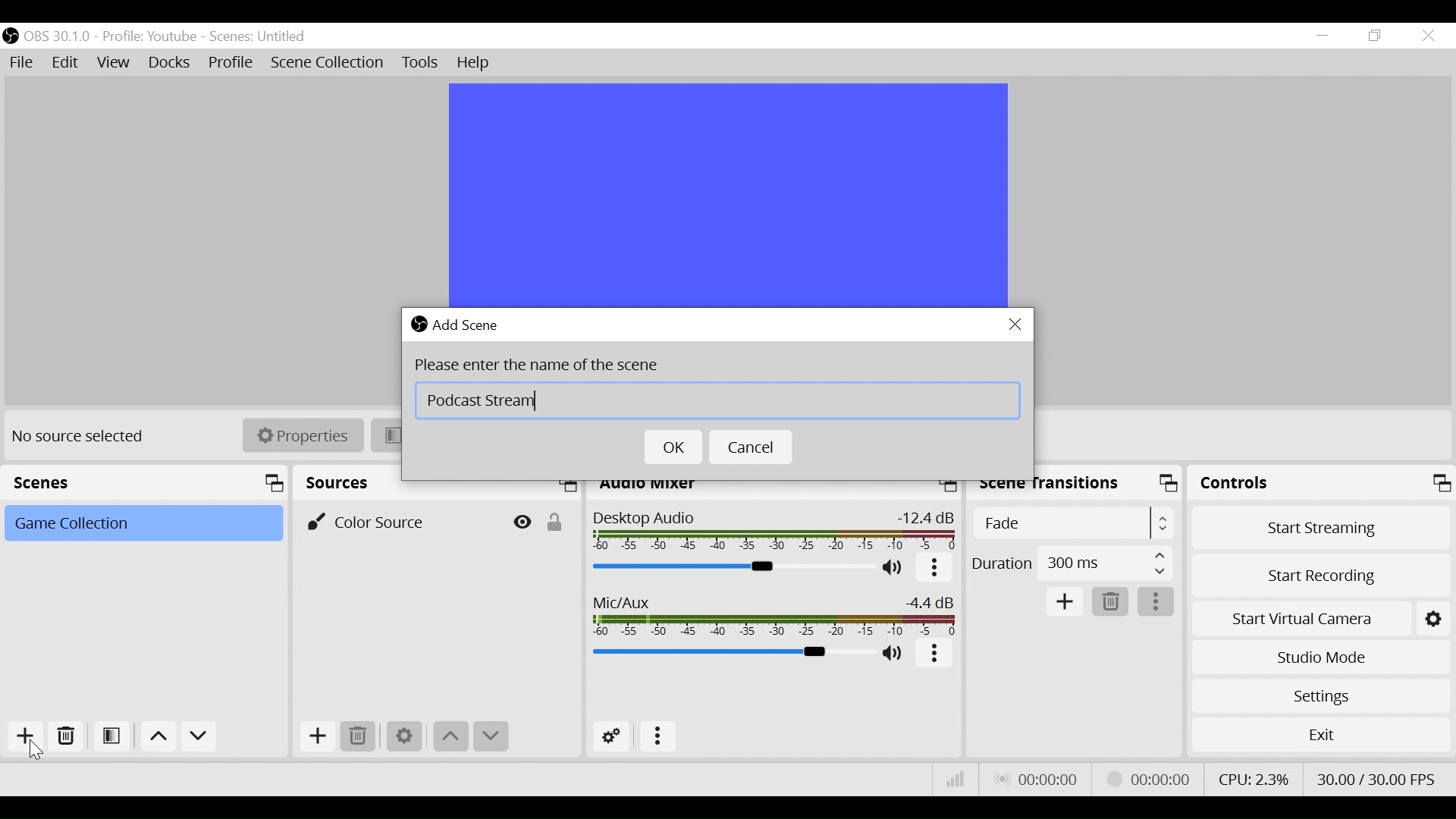  What do you see at coordinates (404, 736) in the screenshot?
I see `Settings` at bounding box center [404, 736].